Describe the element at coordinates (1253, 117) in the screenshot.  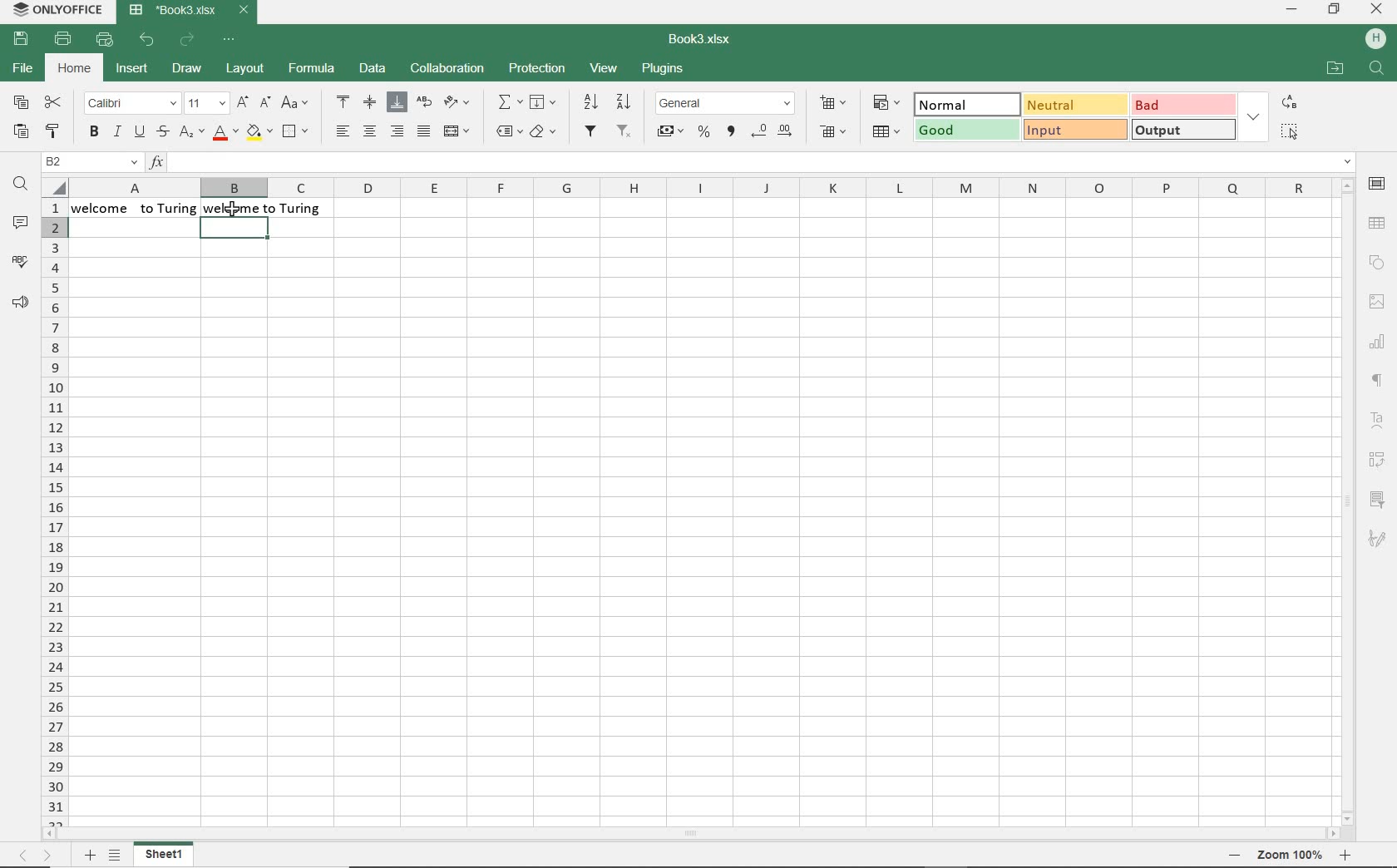
I see `EXPAND` at that location.